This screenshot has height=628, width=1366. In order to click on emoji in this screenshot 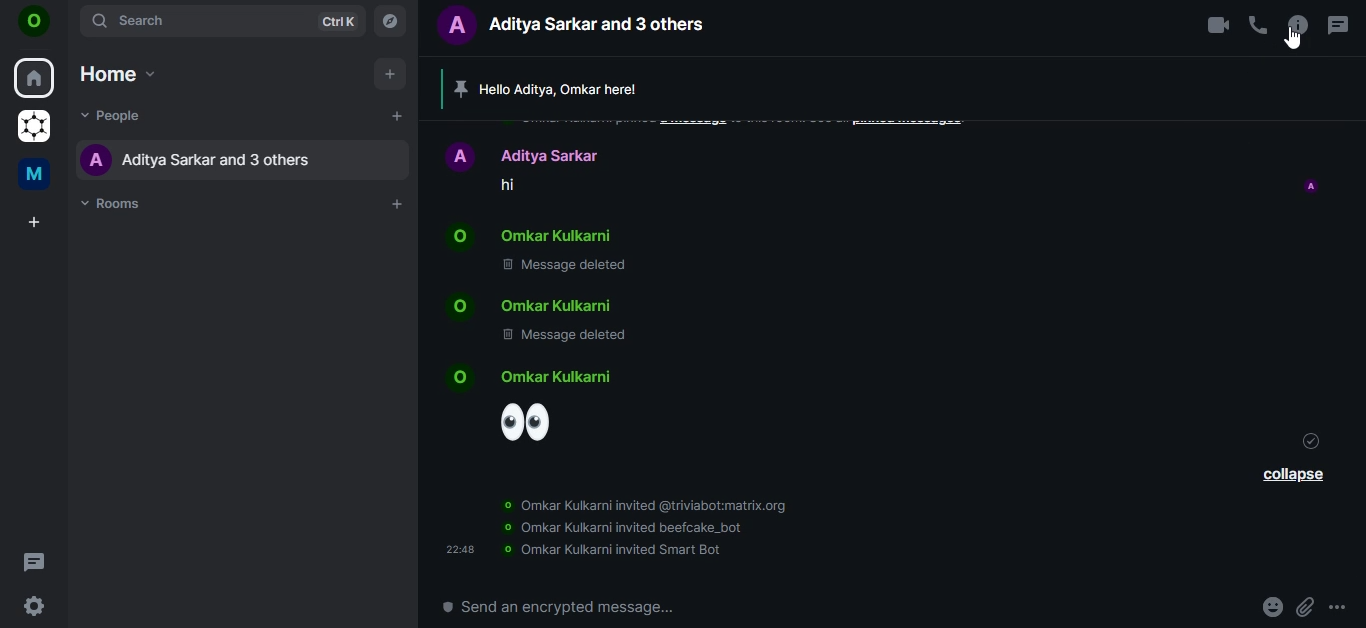, I will do `click(540, 406)`.